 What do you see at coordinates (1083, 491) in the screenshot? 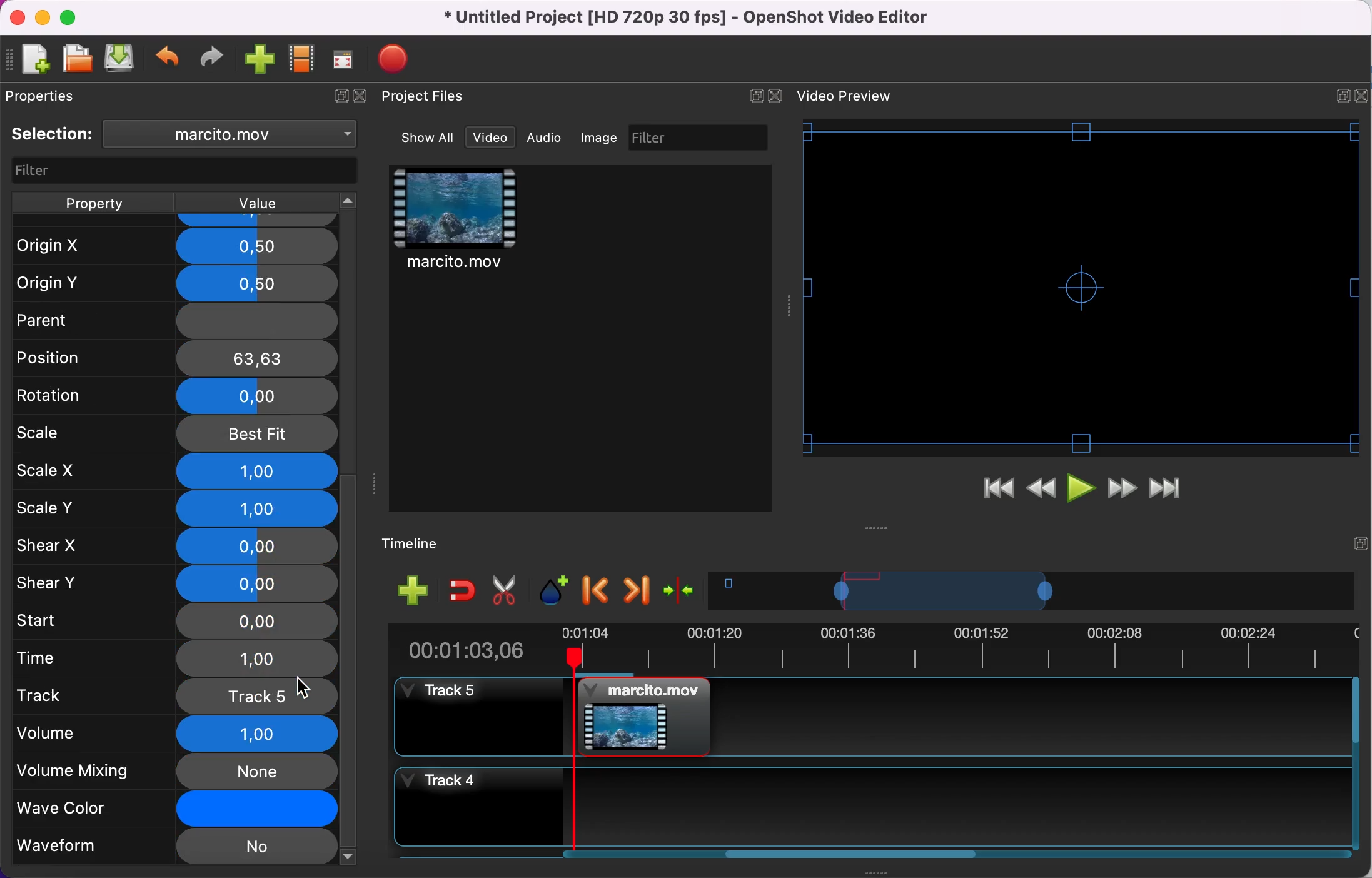
I see `play` at bounding box center [1083, 491].